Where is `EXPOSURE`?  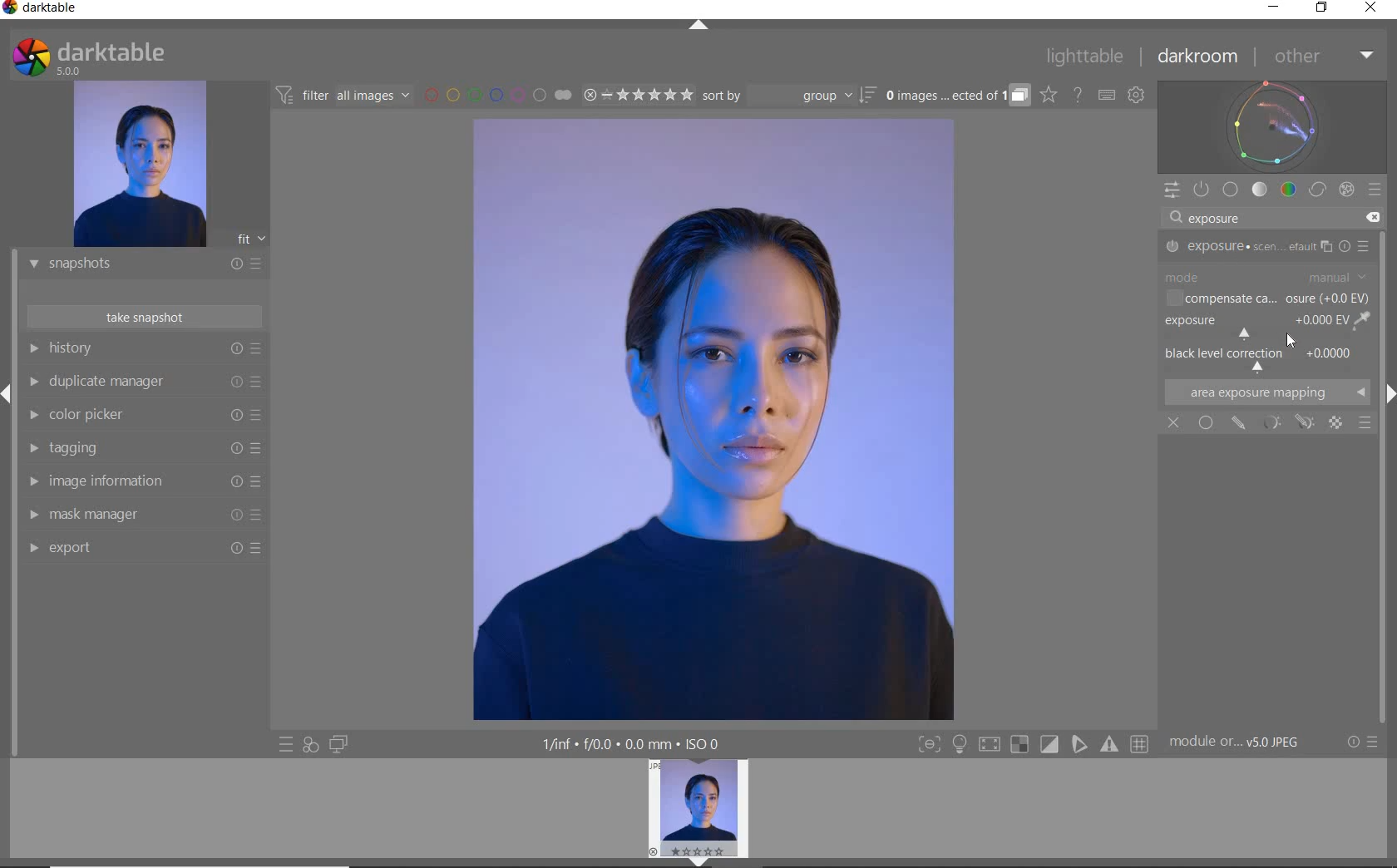
EXPOSURE is located at coordinates (1266, 327).